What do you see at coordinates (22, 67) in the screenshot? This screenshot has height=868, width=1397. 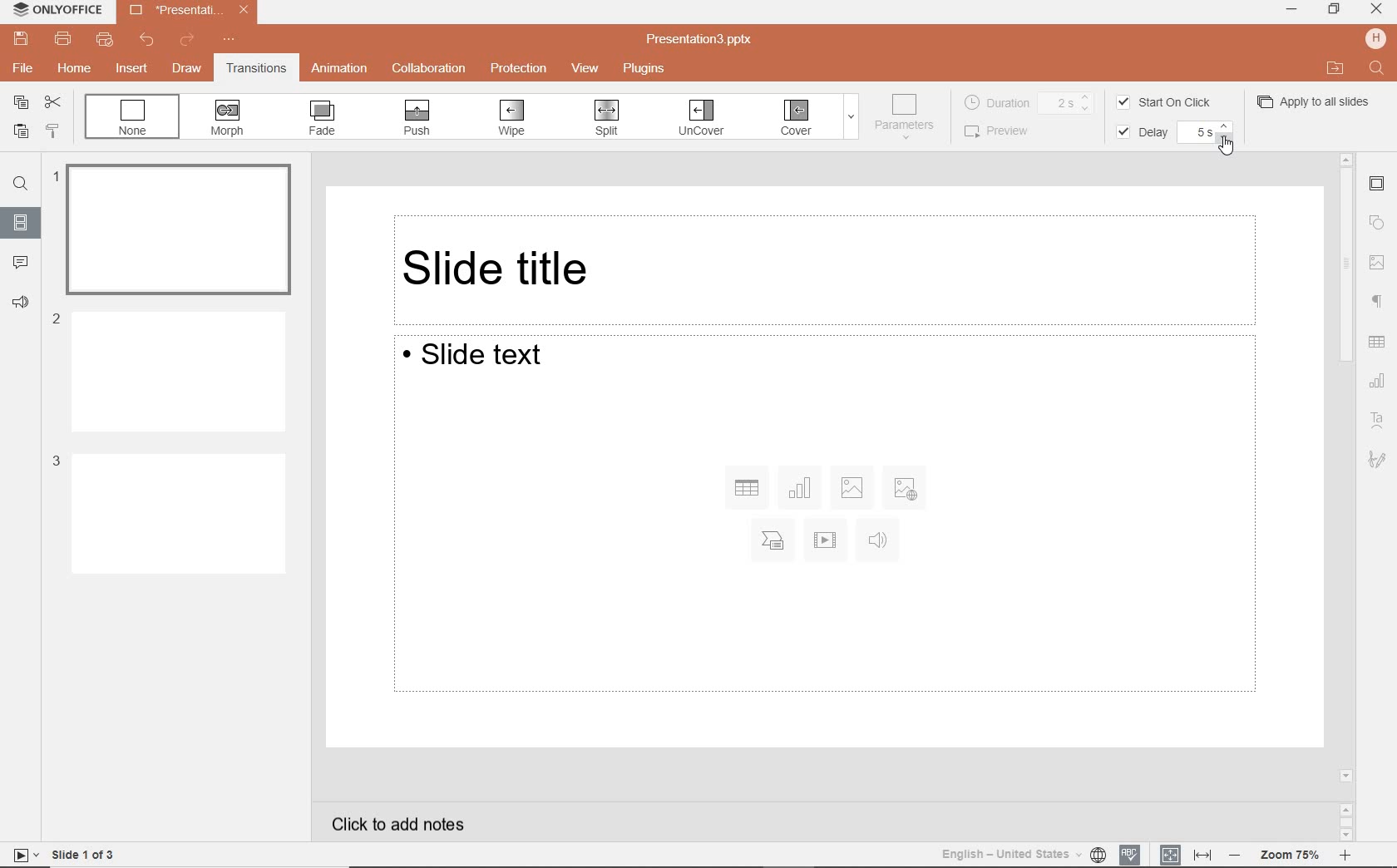 I see `file` at bounding box center [22, 67].